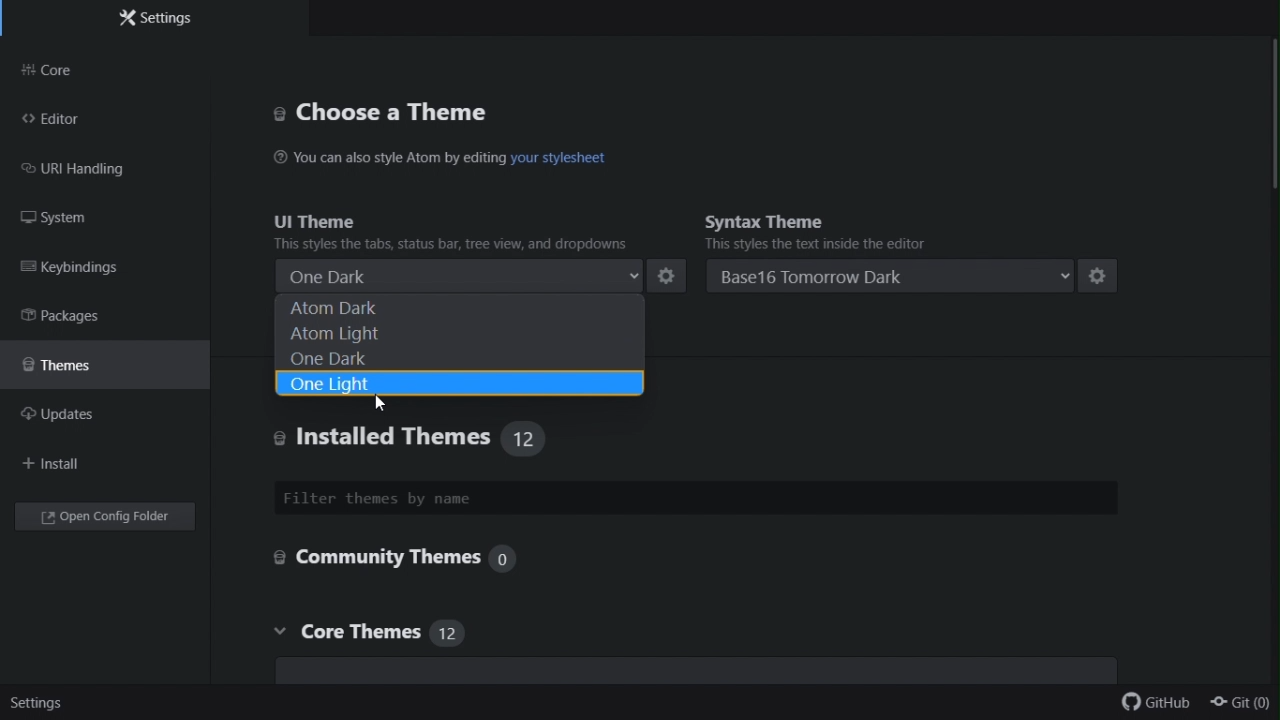 The image size is (1280, 720). Describe the element at coordinates (447, 217) in the screenshot. I see `UI theme` at that location.